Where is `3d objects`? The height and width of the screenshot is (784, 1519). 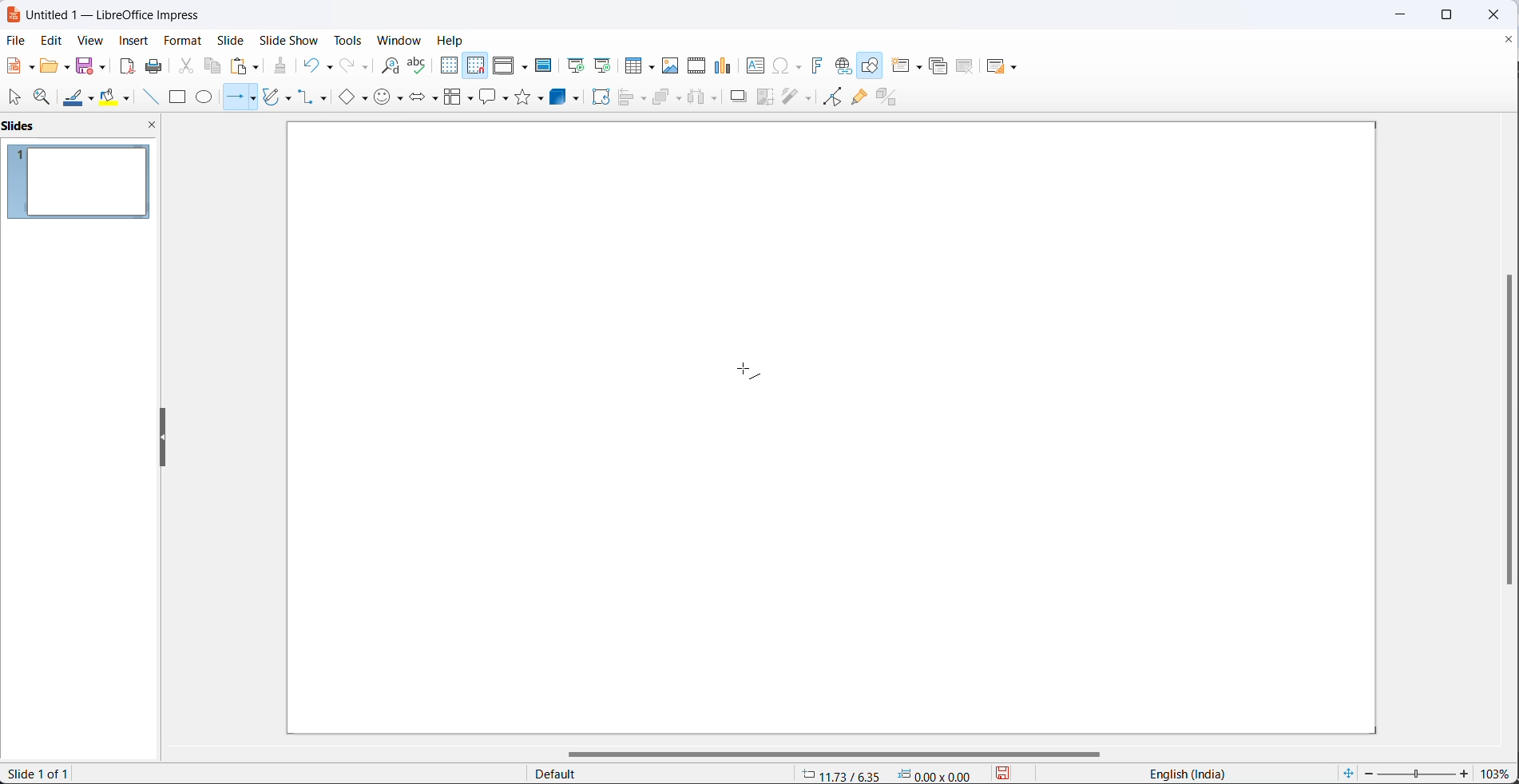
3d objects is located at coordinates (567, 98).